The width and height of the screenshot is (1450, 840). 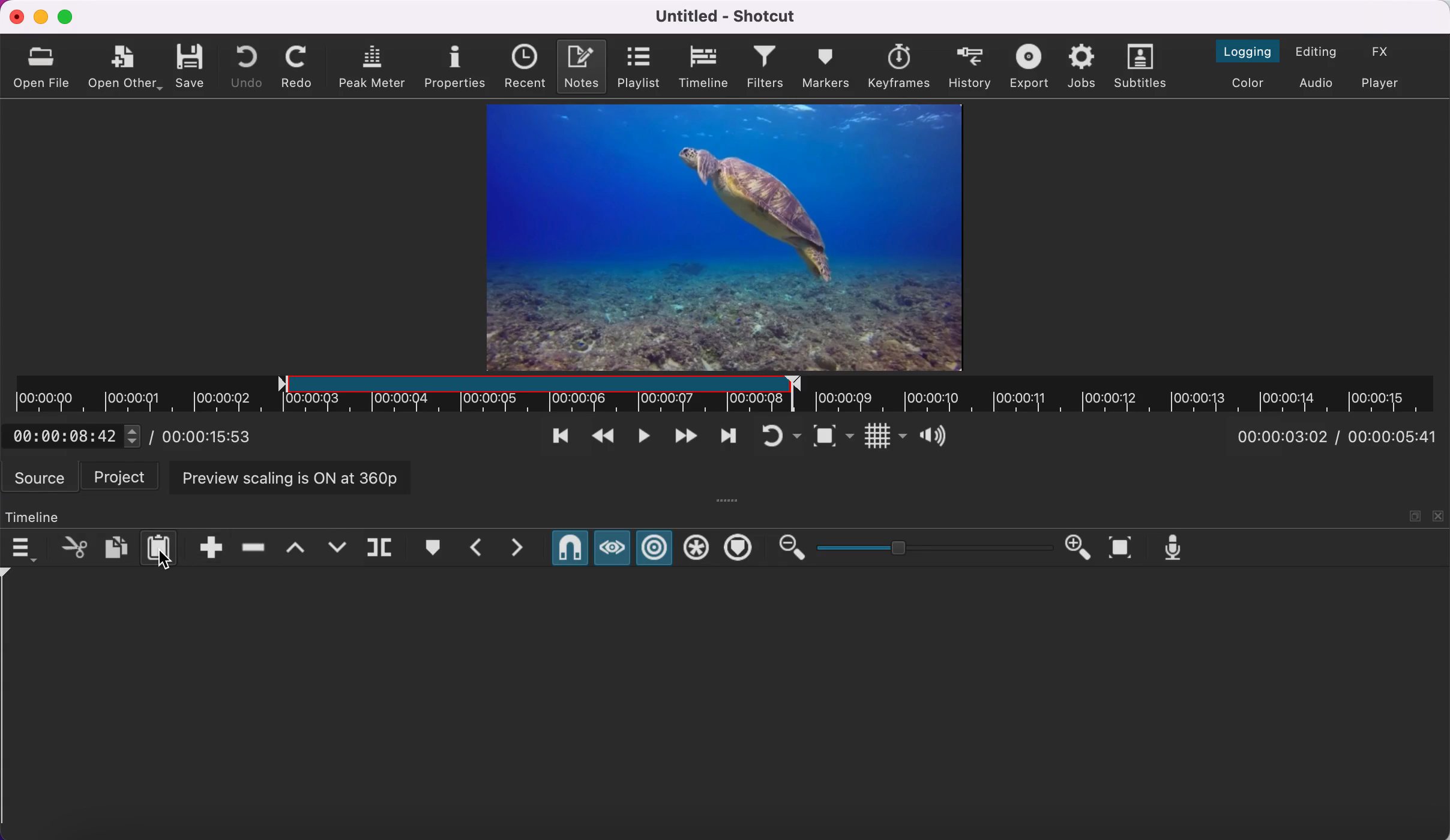 What do you see at coordinates (520, 548) in the screenshot?
I see `next marker` at bounding box center [520, 548].